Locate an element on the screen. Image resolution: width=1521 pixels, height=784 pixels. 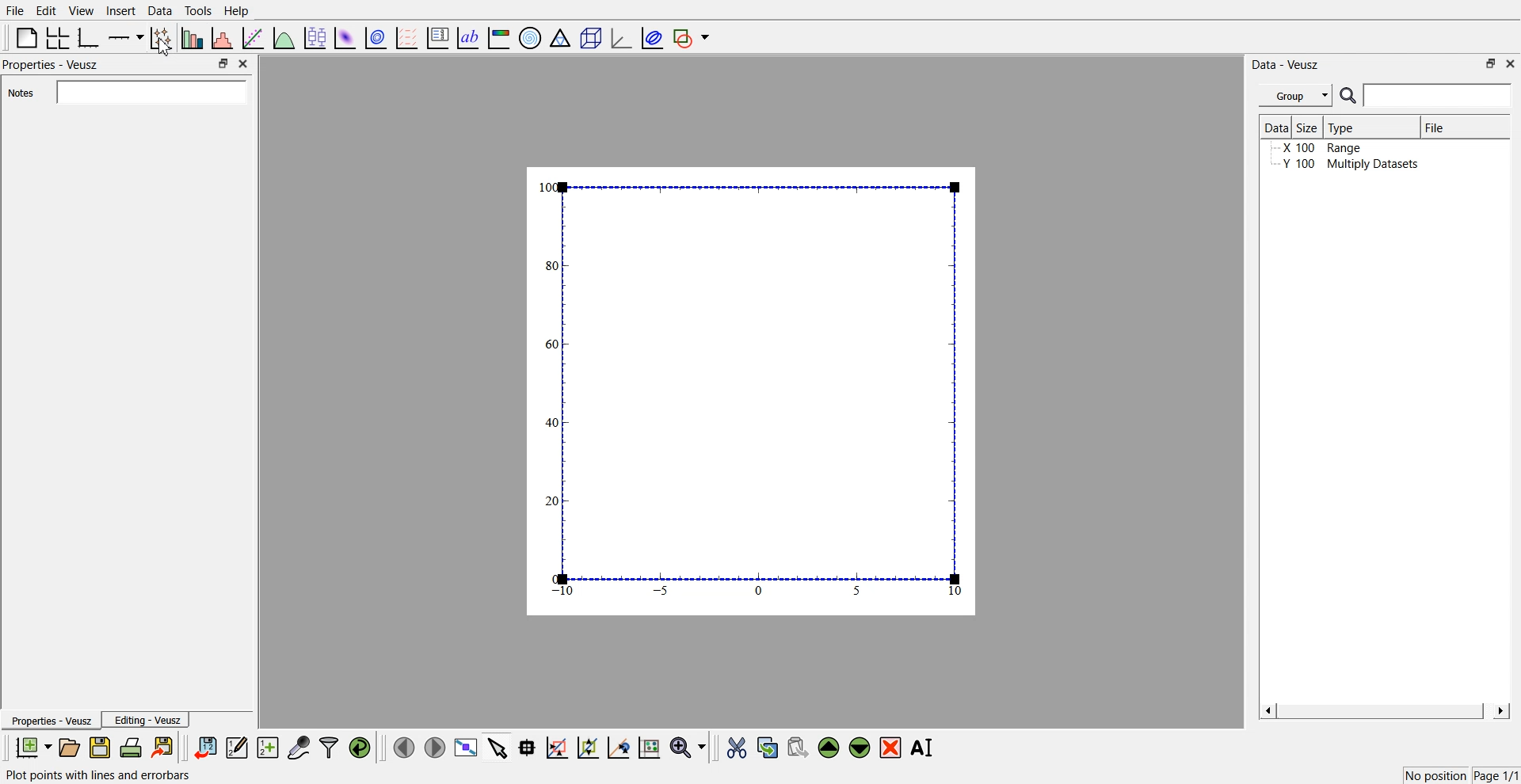
Y 100 Multiply Datasets is located at coordinates (1345, 166).